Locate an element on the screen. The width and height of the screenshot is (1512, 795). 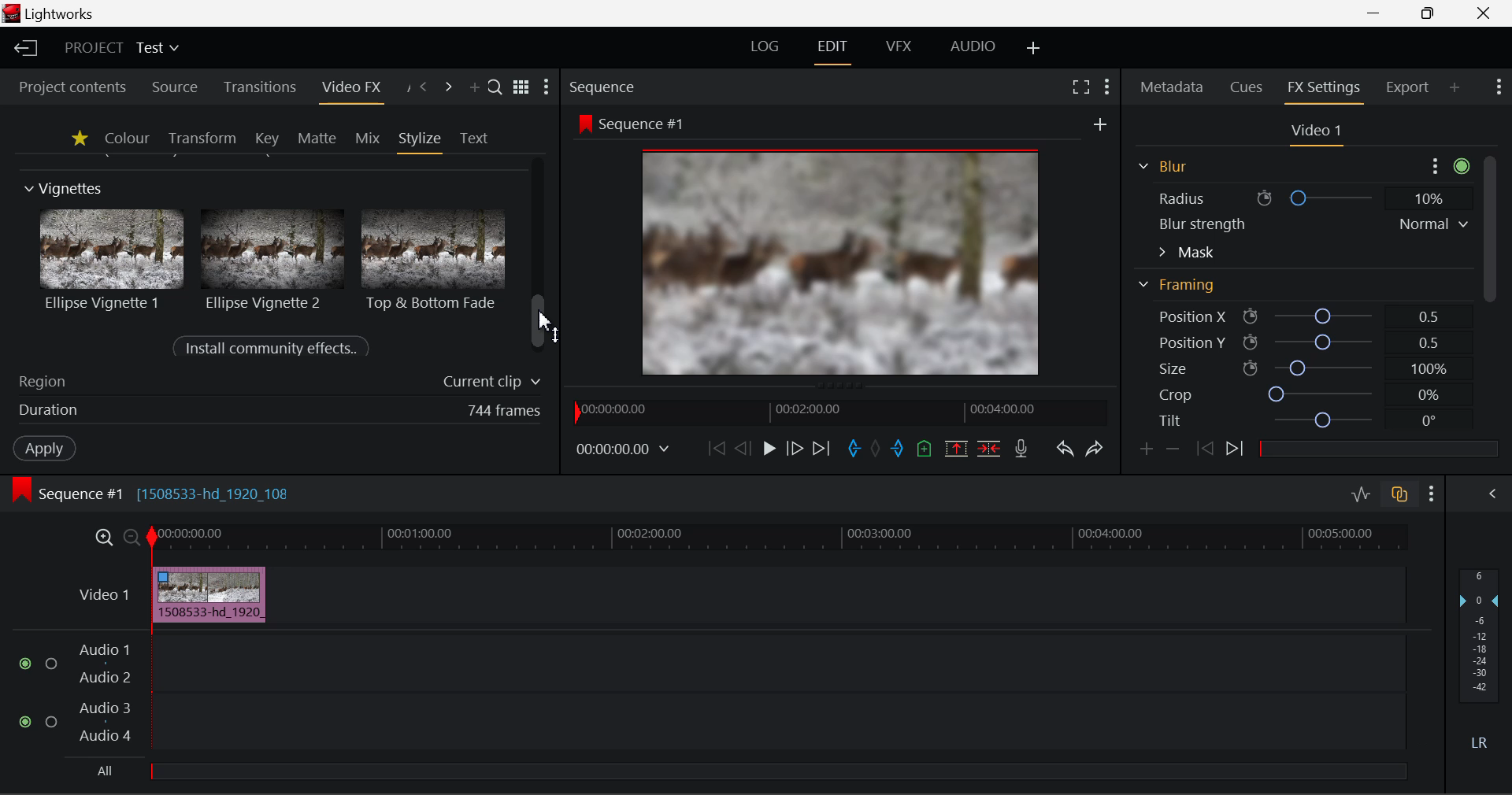
Toggle auto track sync is located at coordinates (1398, 492).